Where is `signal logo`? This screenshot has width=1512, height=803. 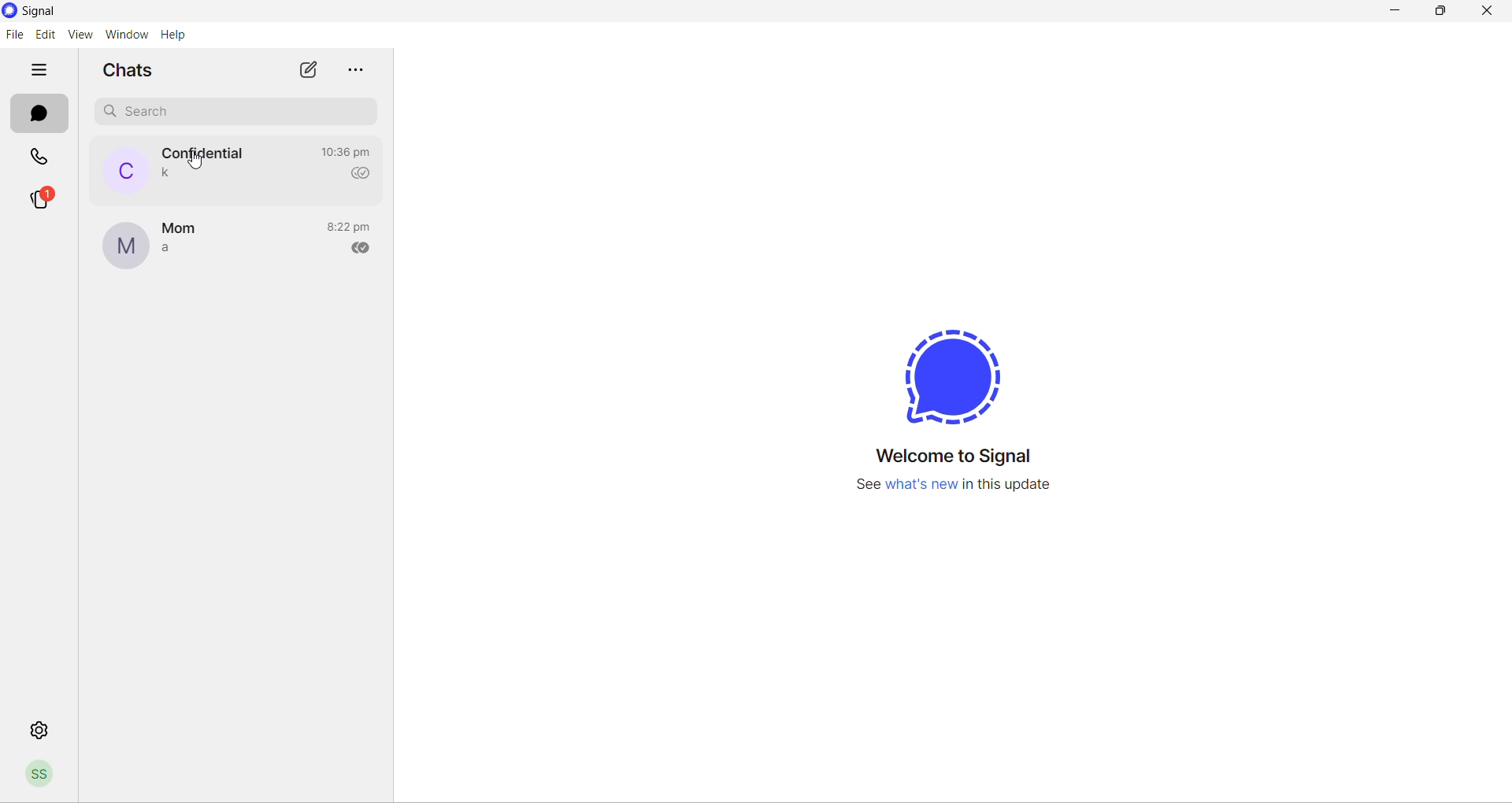 signal logo is located at coordinates (957, 371).